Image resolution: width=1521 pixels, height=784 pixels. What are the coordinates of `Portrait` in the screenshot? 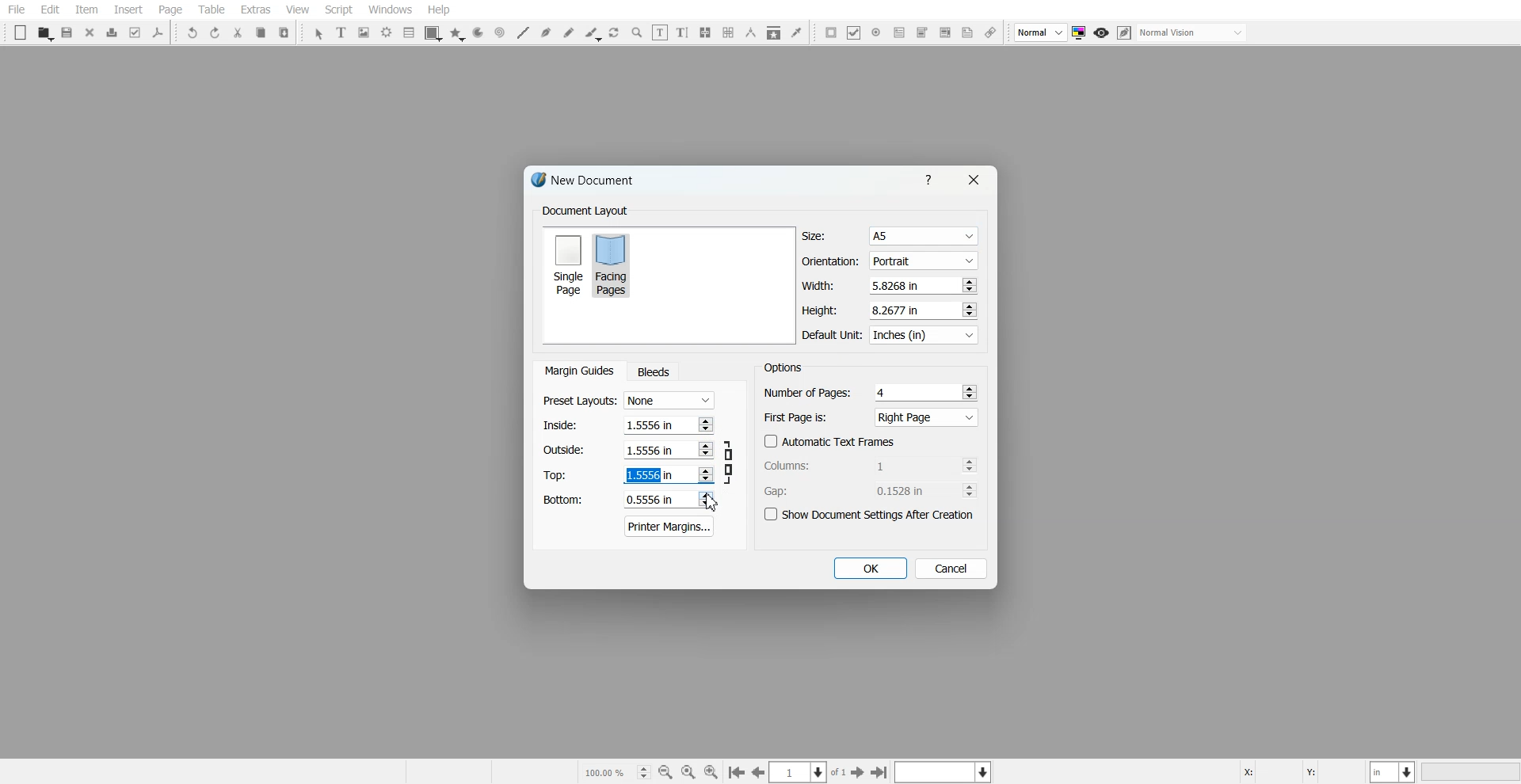 It's located at (922, 260).